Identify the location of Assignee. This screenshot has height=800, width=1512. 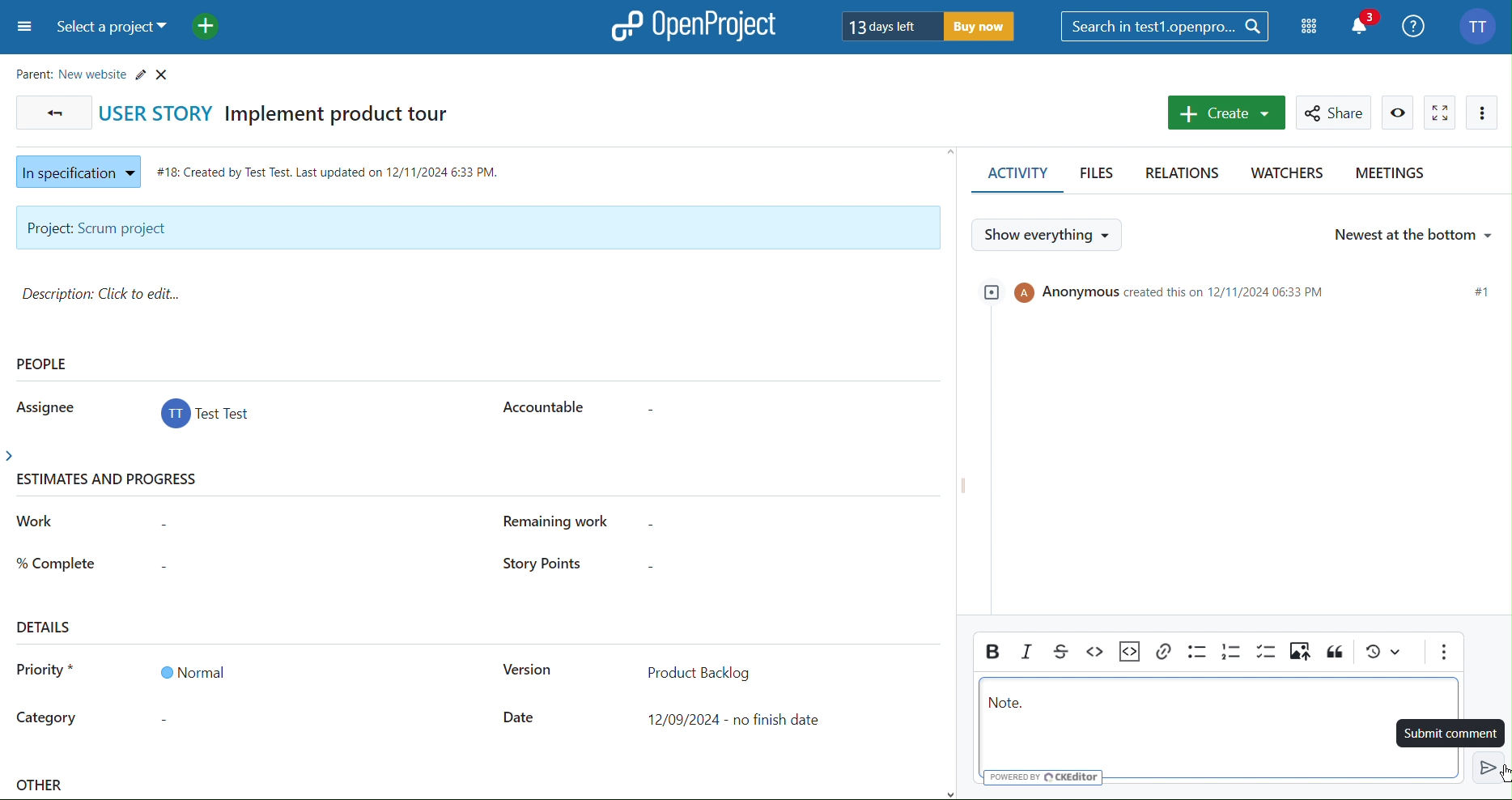
(42, 406).